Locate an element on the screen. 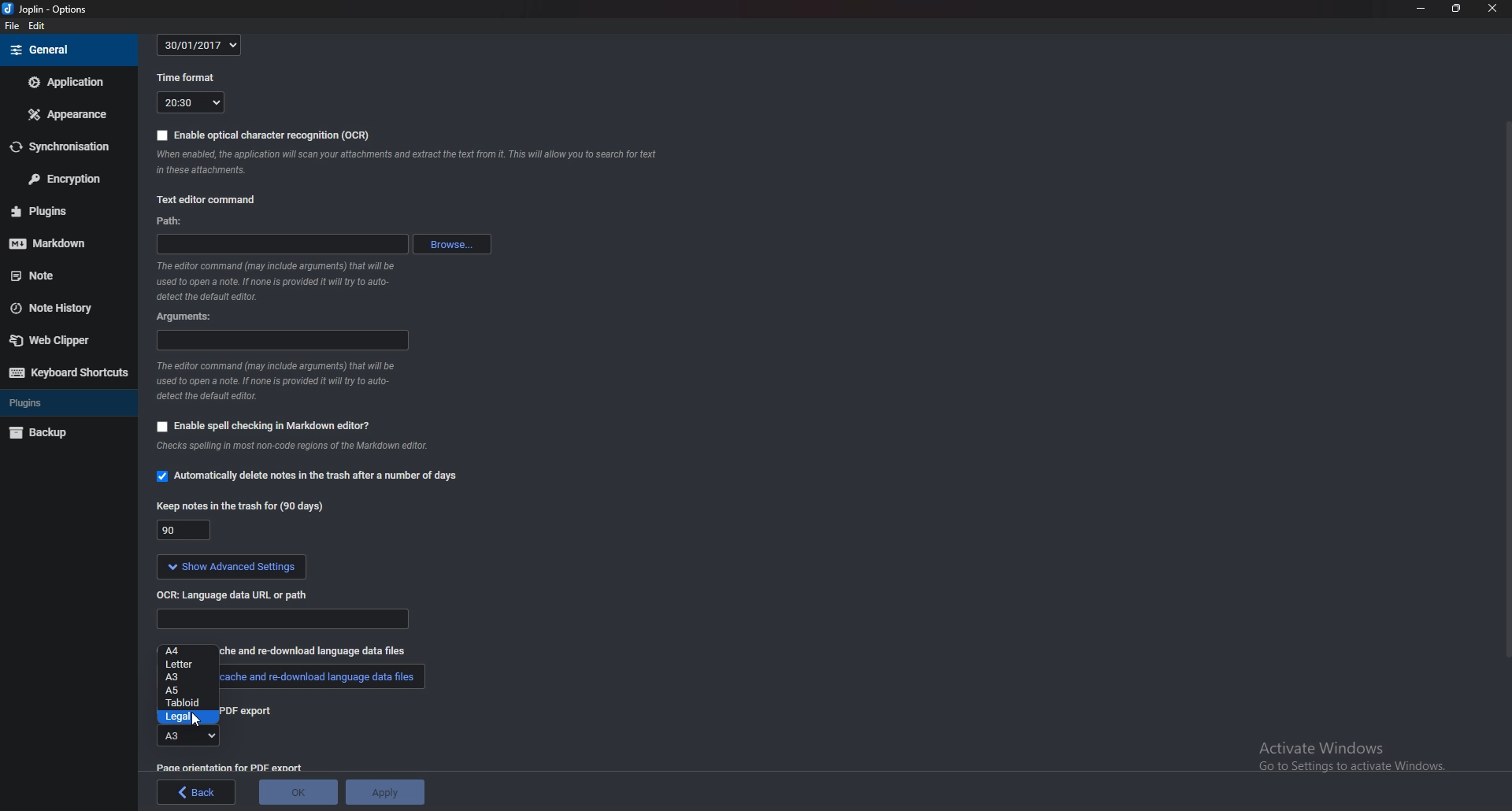 The height and width of the screenshot is (811, 1512). Synchronization is located at coordinates (64, 146).